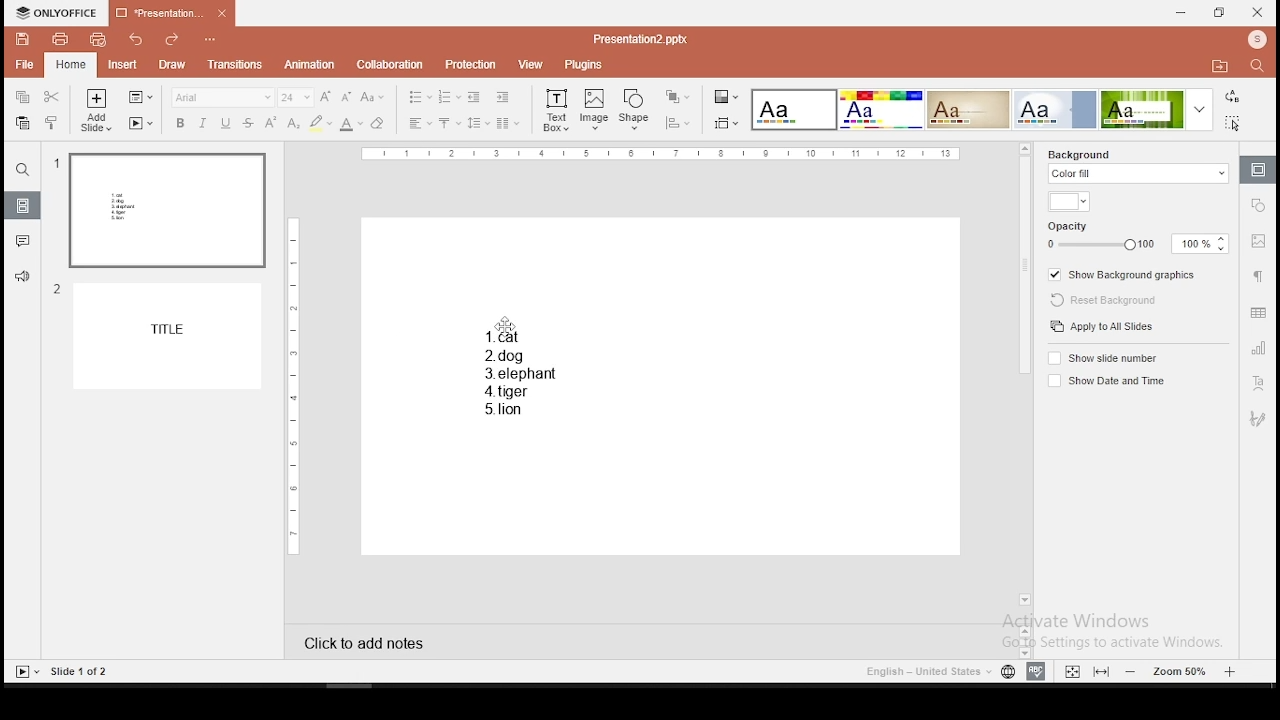 The width and height of the screenshot is (1280, 720). Describe the element at coordinates (727, 122) in the screenshot. I see `select slide size` at that location.